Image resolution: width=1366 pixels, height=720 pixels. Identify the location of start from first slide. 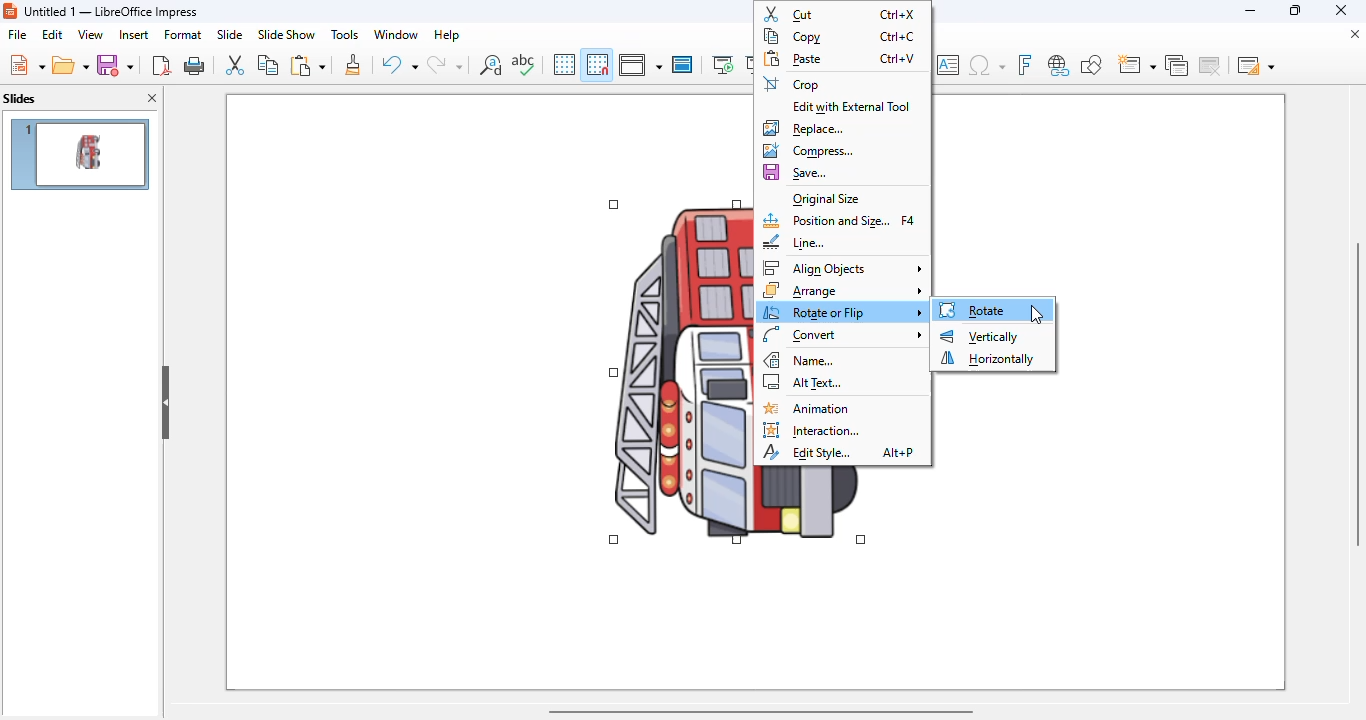
(724, 65).